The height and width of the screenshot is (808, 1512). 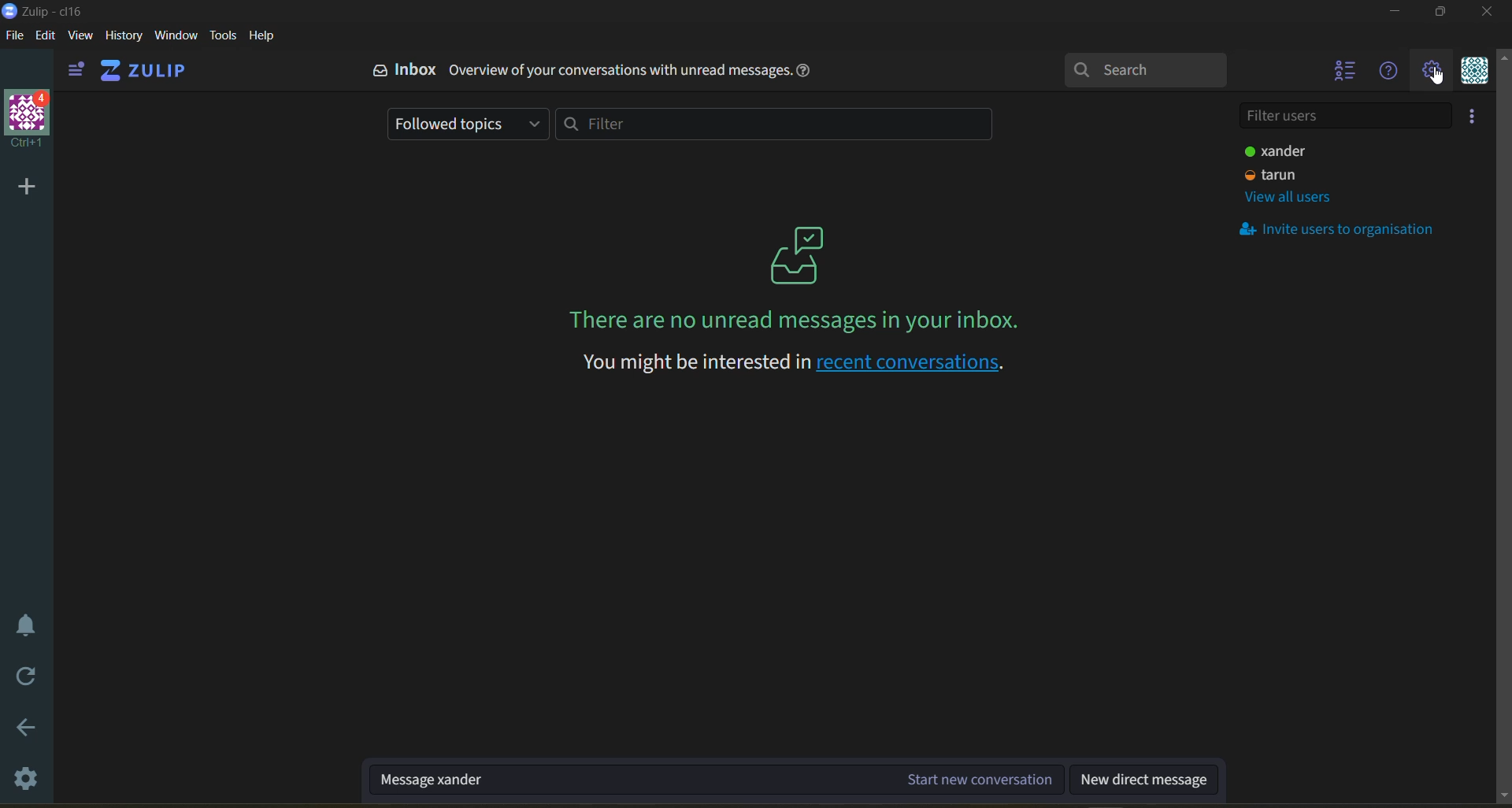 What do you see at coordinates (787, 321) in the screenshot?
I see `There are no unread messages in your inbox.` at bounding box center [787, 321].